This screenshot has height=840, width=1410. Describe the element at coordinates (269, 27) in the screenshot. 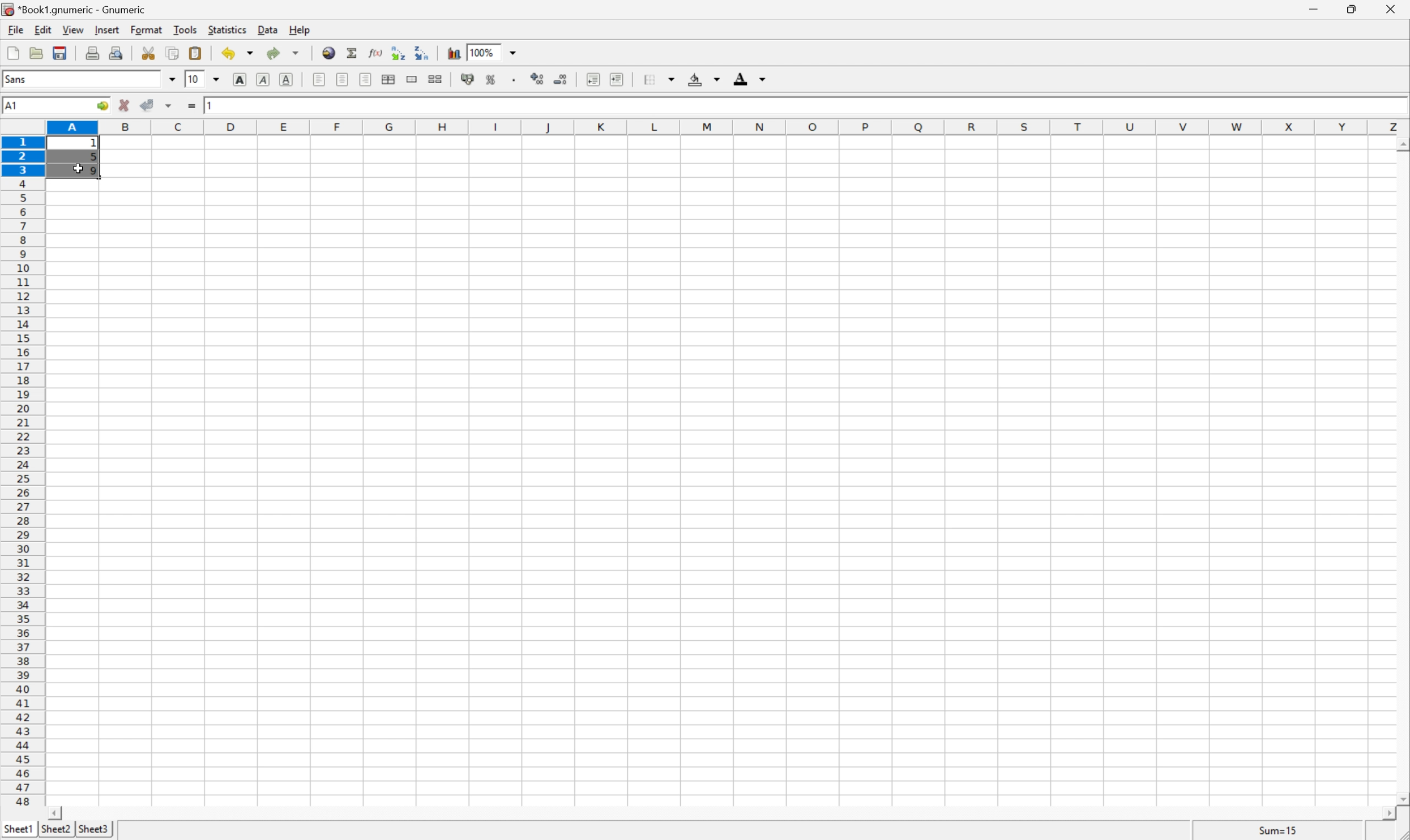

I see `data` at that location.